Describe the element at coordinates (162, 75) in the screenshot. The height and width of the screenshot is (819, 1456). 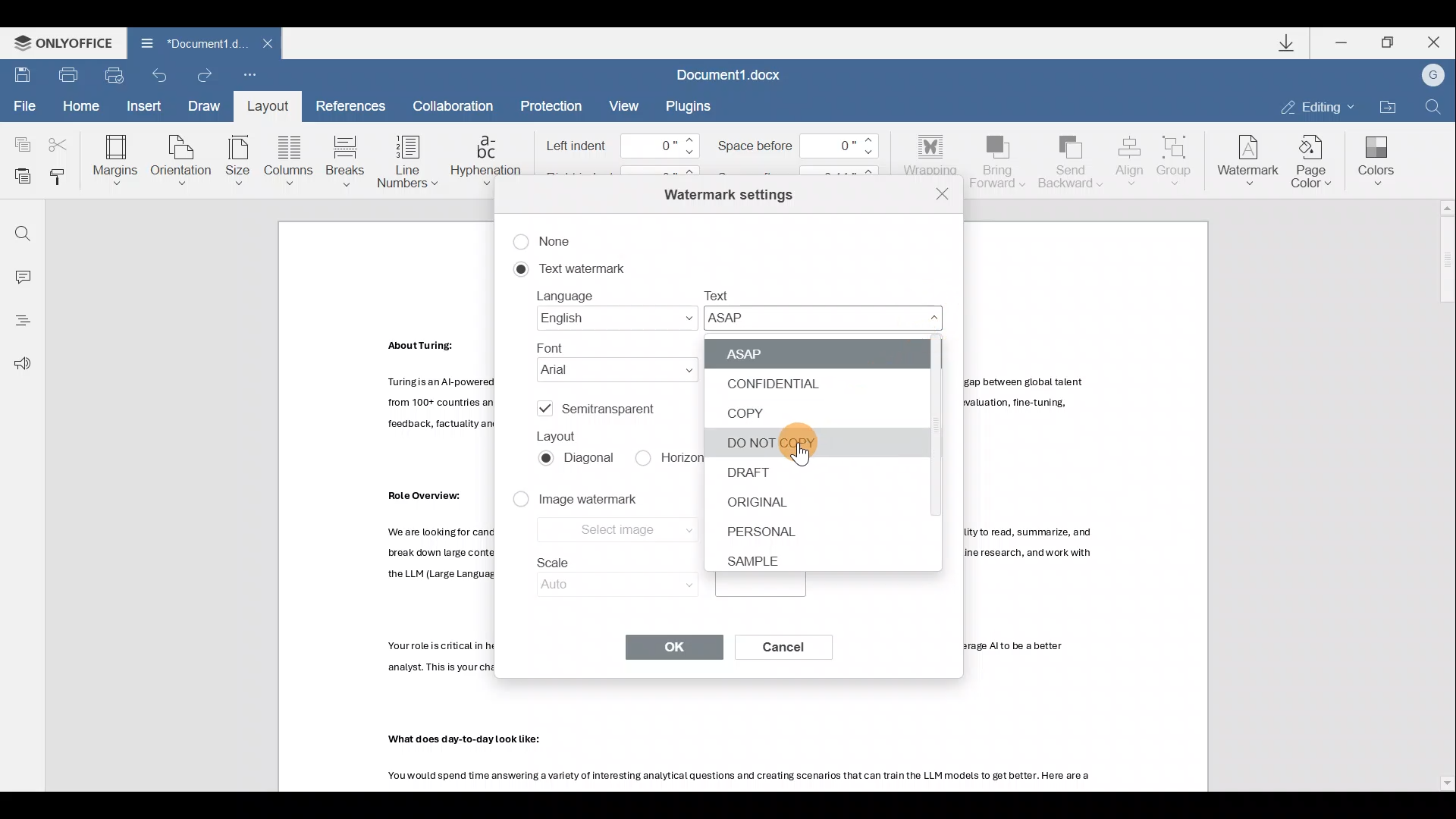
I see `Undo` at that location.